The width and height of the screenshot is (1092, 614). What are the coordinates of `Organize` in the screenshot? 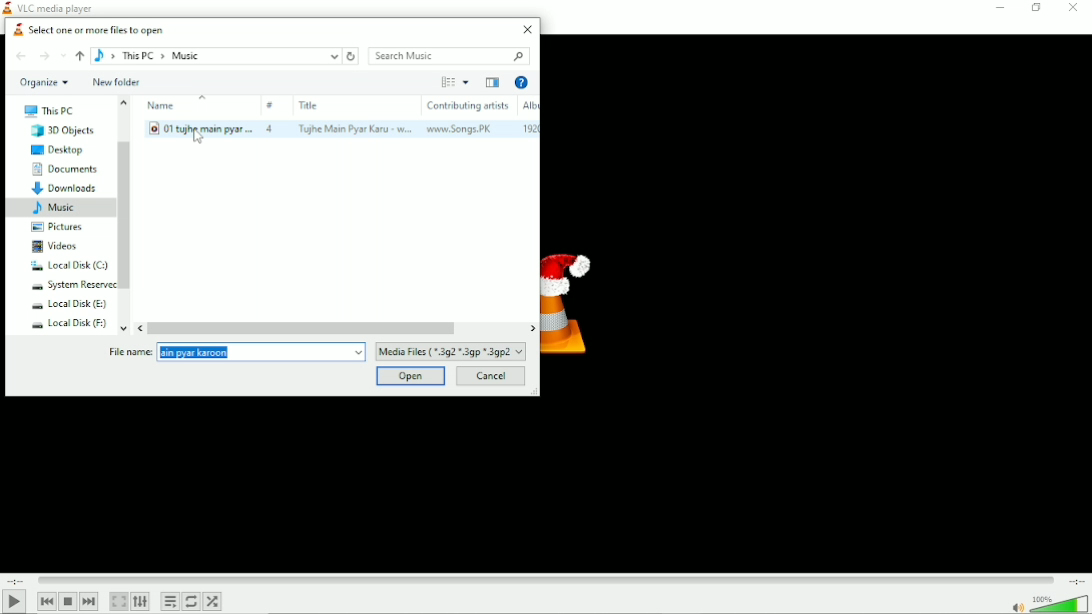 It's located at (42, 84).